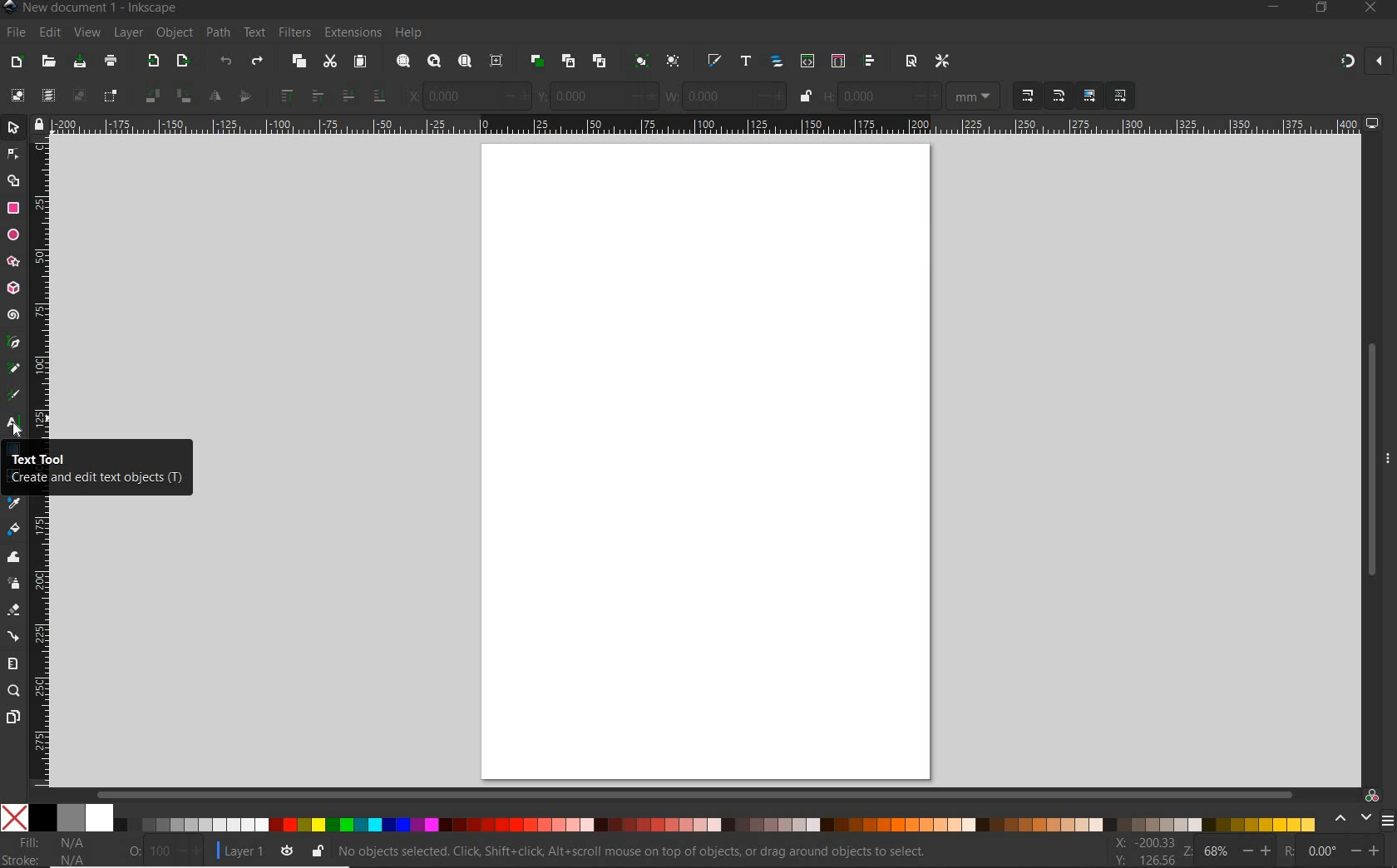 This screenshot has height=868, width=1397. I want to click on paste, so click(360, 62).